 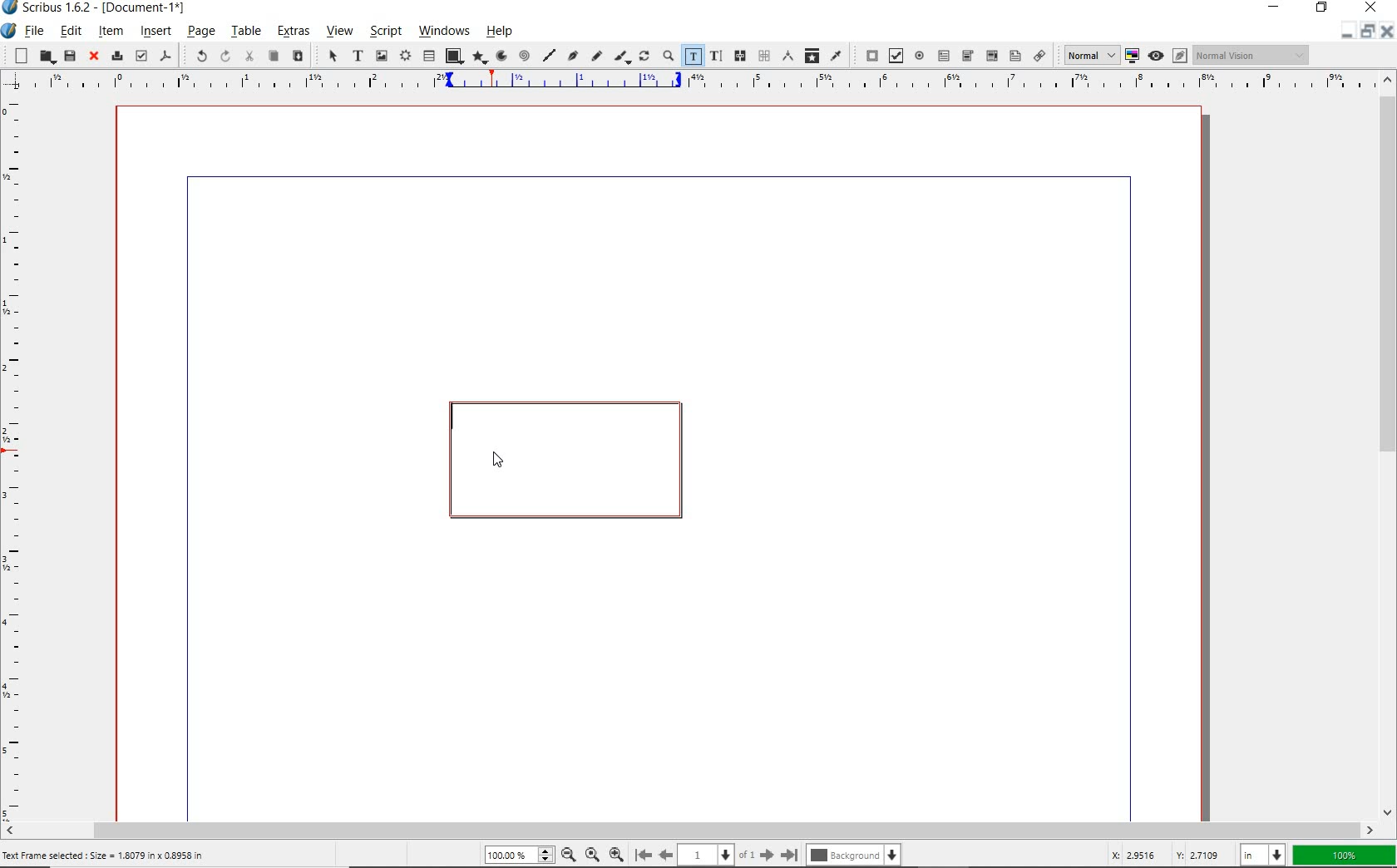 What do you see at coordinates (154, 31) in the screenshot?
I see `insert` at bounding box center [154, 31].